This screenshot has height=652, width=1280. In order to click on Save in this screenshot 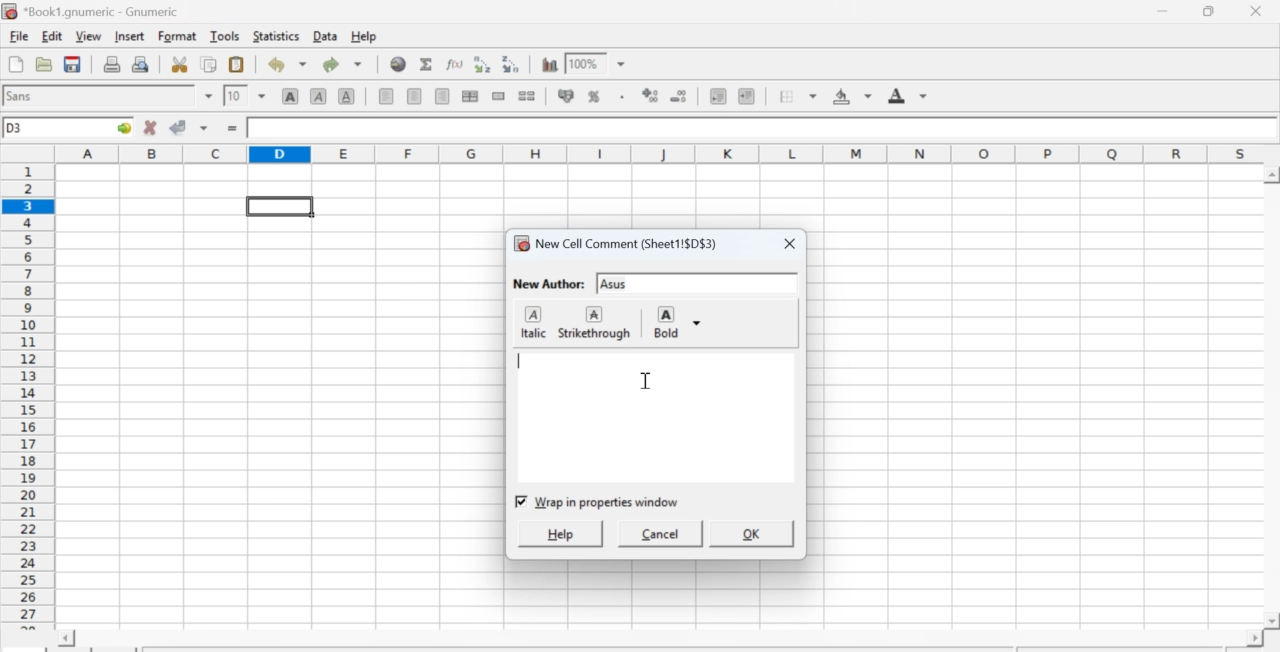, I will do `click(72, 65)`.